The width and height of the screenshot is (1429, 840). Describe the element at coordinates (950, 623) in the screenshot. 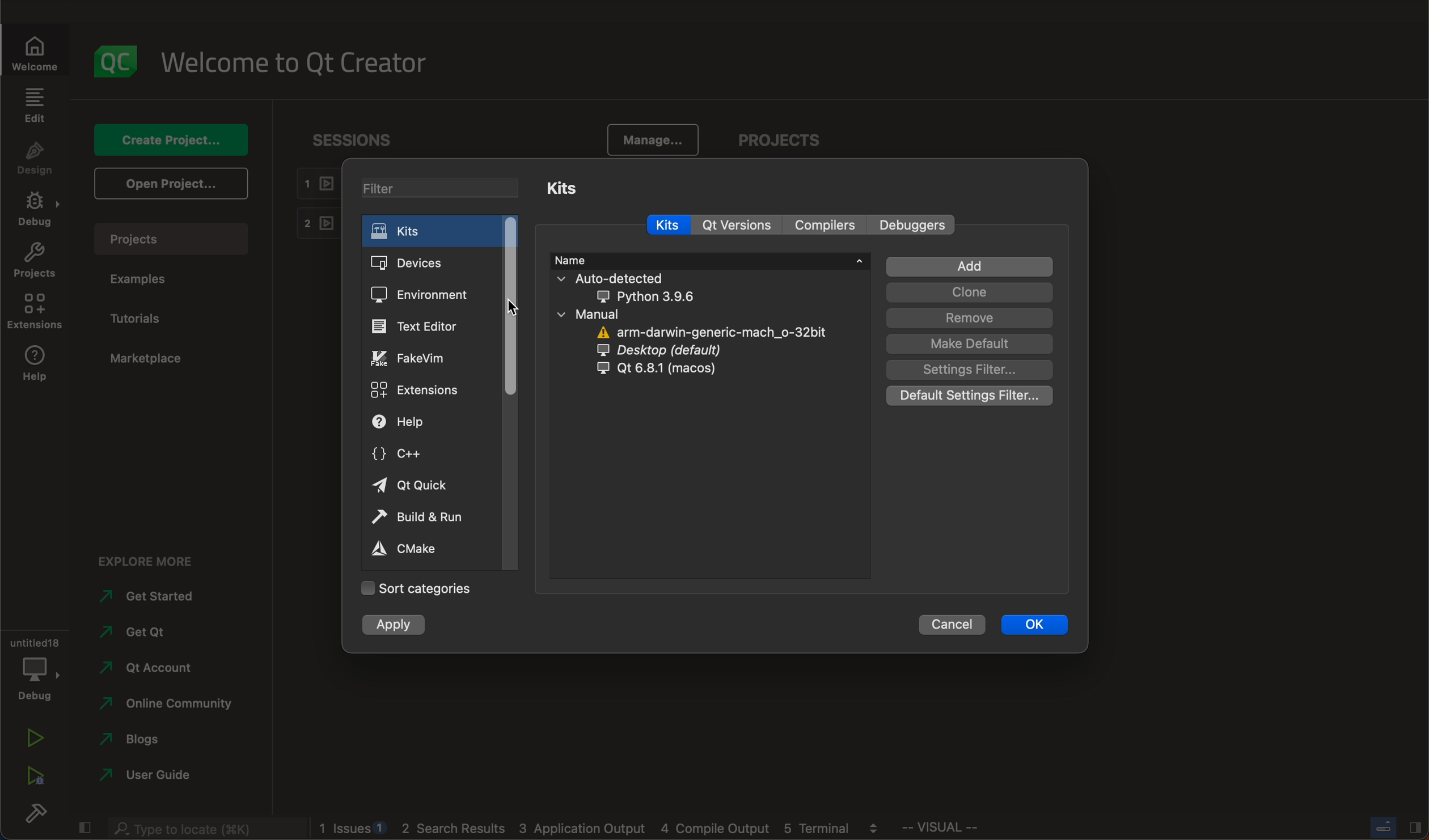

I see `cancel` at that location.